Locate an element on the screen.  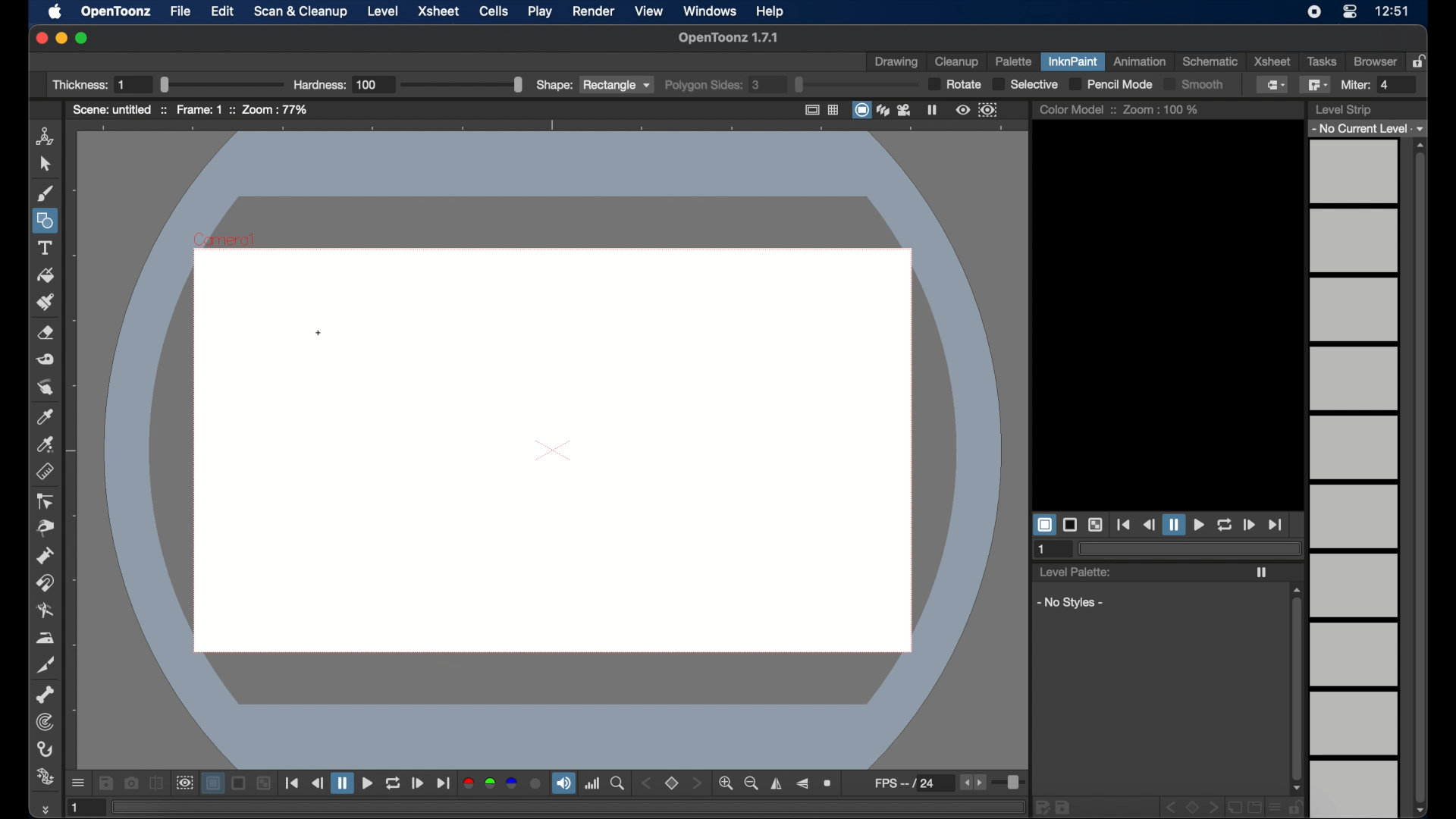
zoom : 100% is located at coordinates (1161, 109).